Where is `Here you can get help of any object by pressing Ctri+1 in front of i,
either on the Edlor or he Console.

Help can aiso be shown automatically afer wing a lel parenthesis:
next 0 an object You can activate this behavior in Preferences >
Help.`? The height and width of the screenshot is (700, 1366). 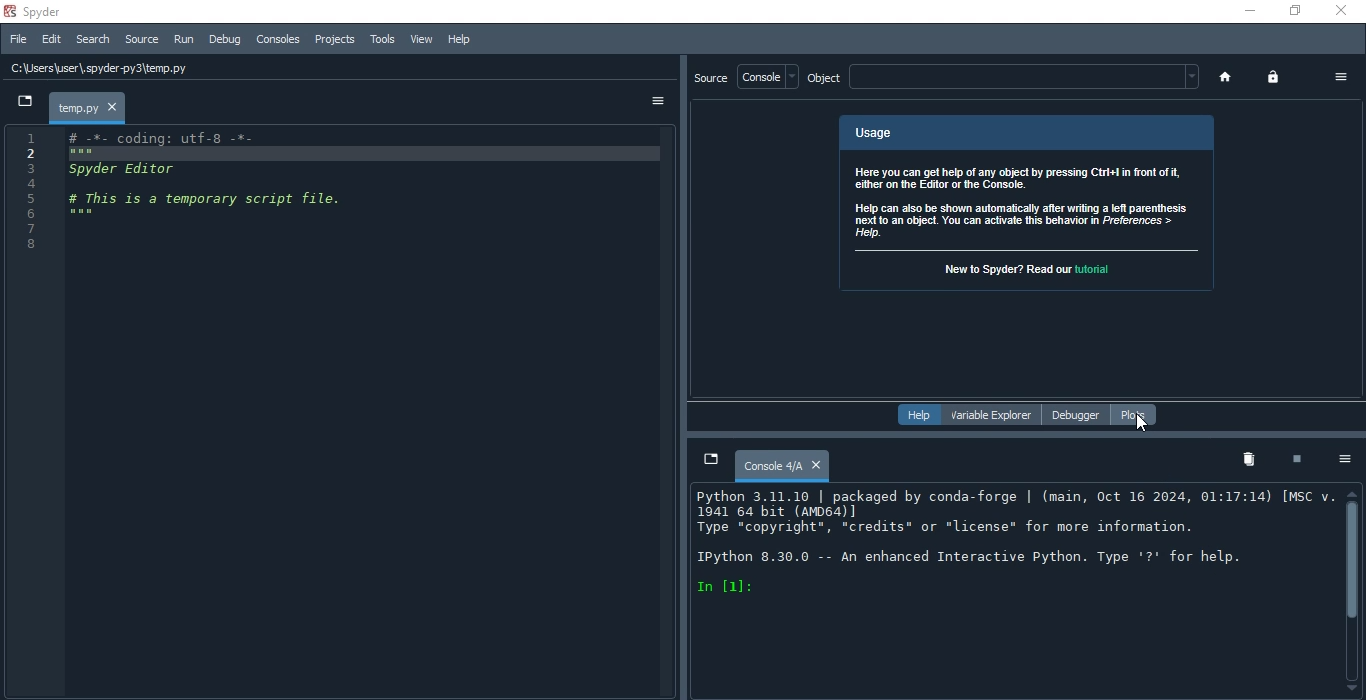
Here you can get help of any object by pressing Ctri+1 in front of i,
either on the Edlor or he Console.

Help can aiso be shown automatically afer wing a lel parenthesis:
next 0 an object You can activate this behavior in Preferences >
Help. is located at coordinates (1021, 203).